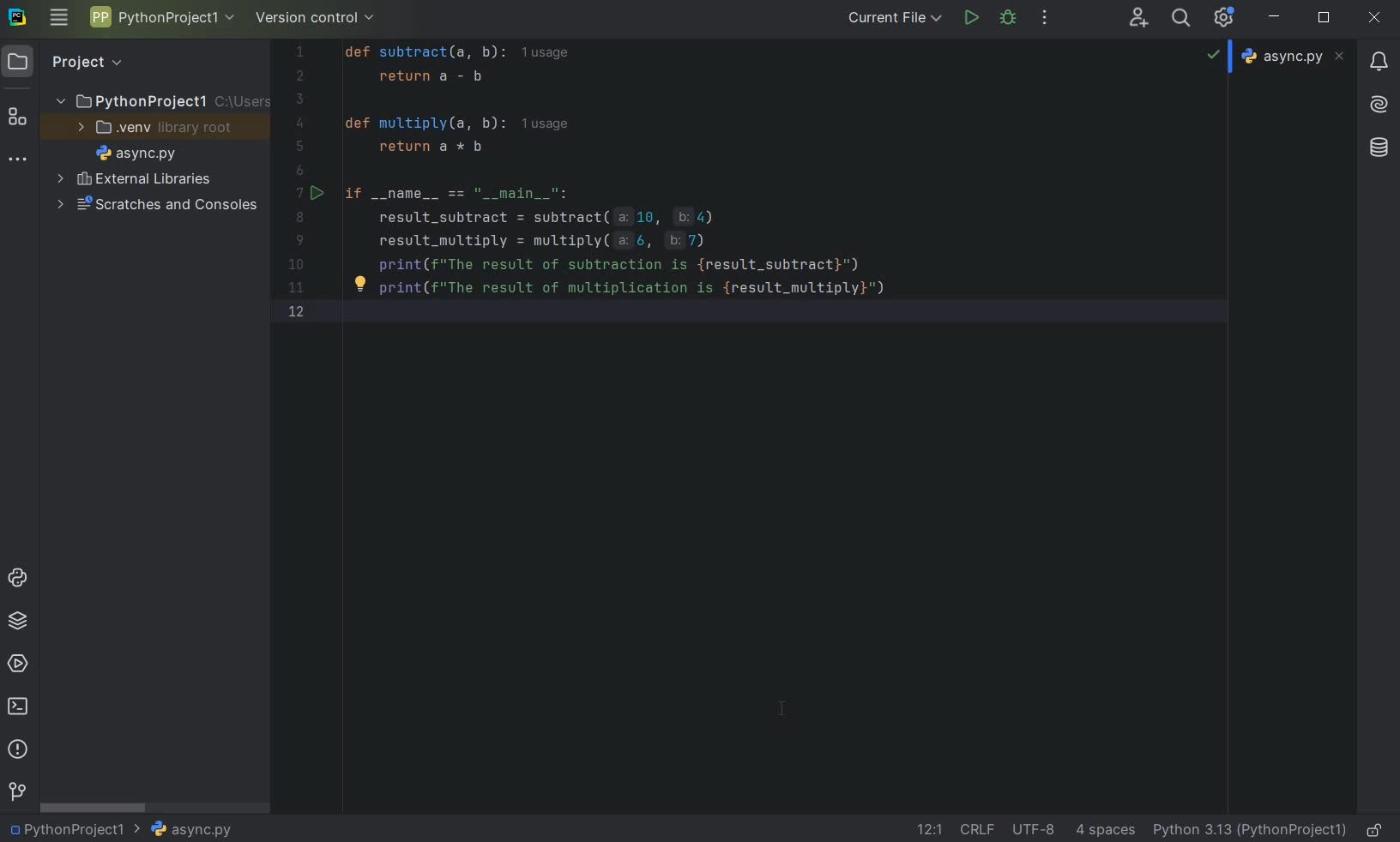  I want to click on RESTORE DOWN, so click(1325, 15).